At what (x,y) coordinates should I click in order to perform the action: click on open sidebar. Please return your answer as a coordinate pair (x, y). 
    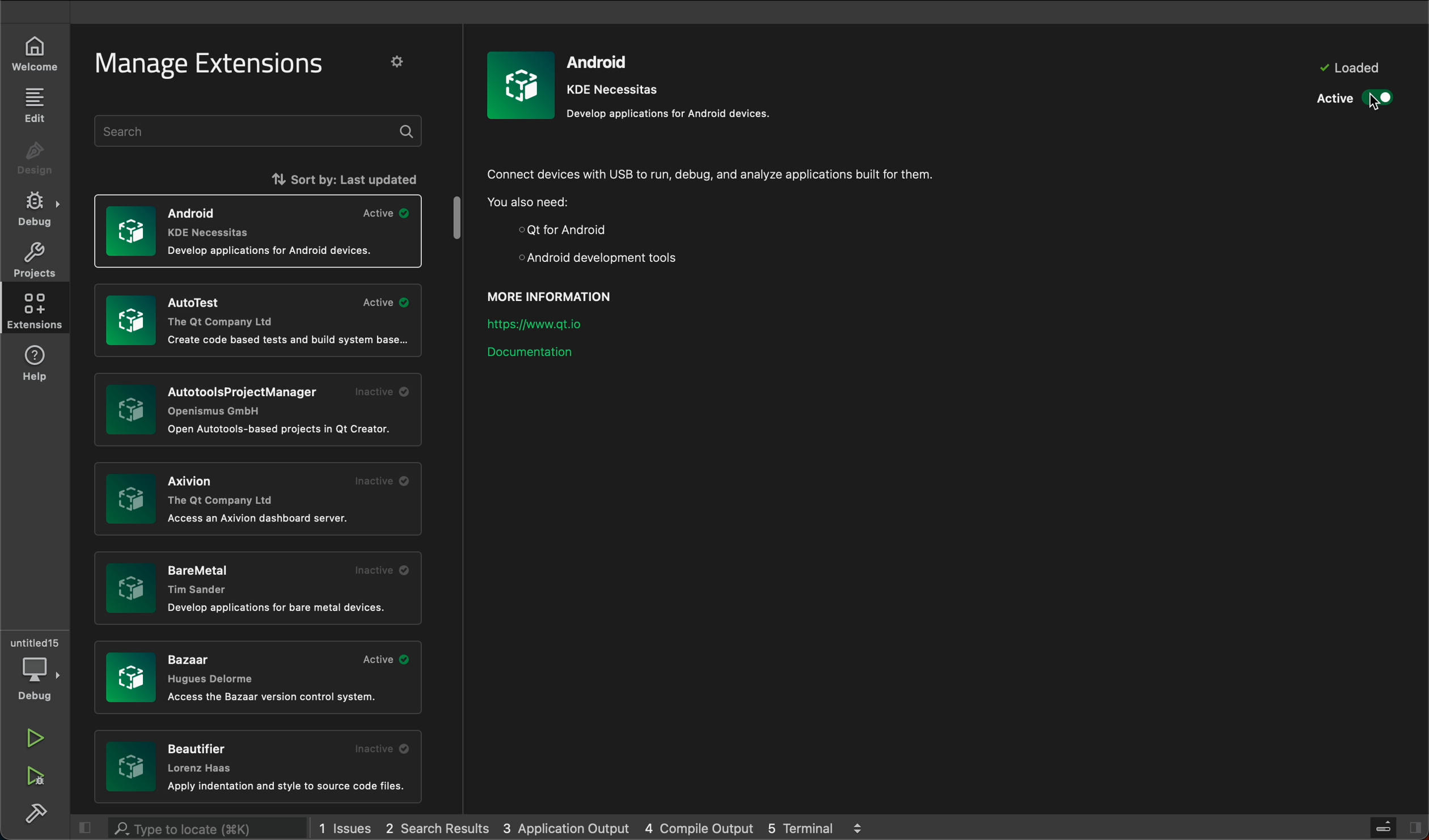
    Looking at the image, I should click on (1413, 825).